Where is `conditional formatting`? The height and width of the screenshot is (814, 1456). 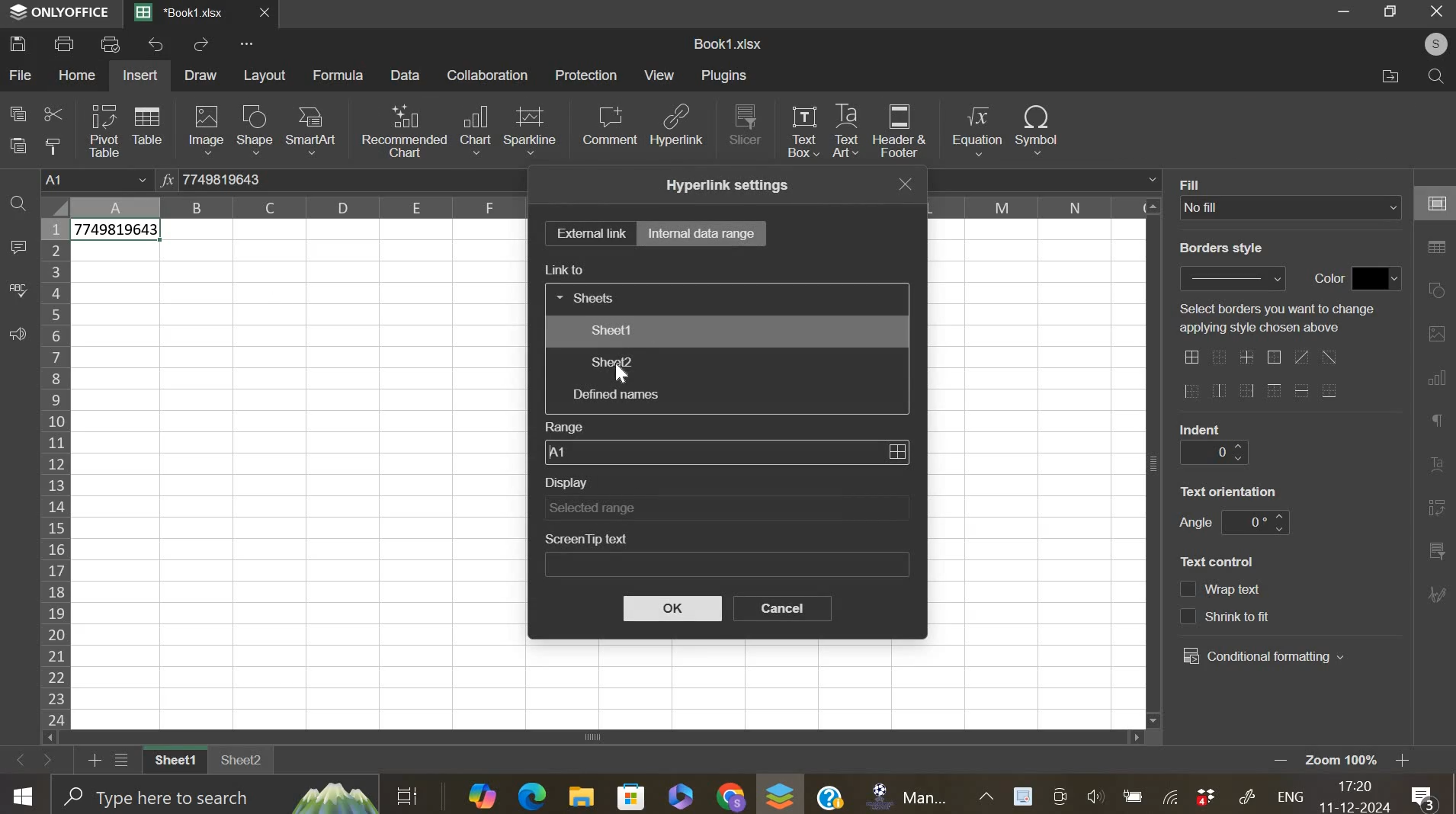 conditional formatting is located at coordinates (1264, 657).